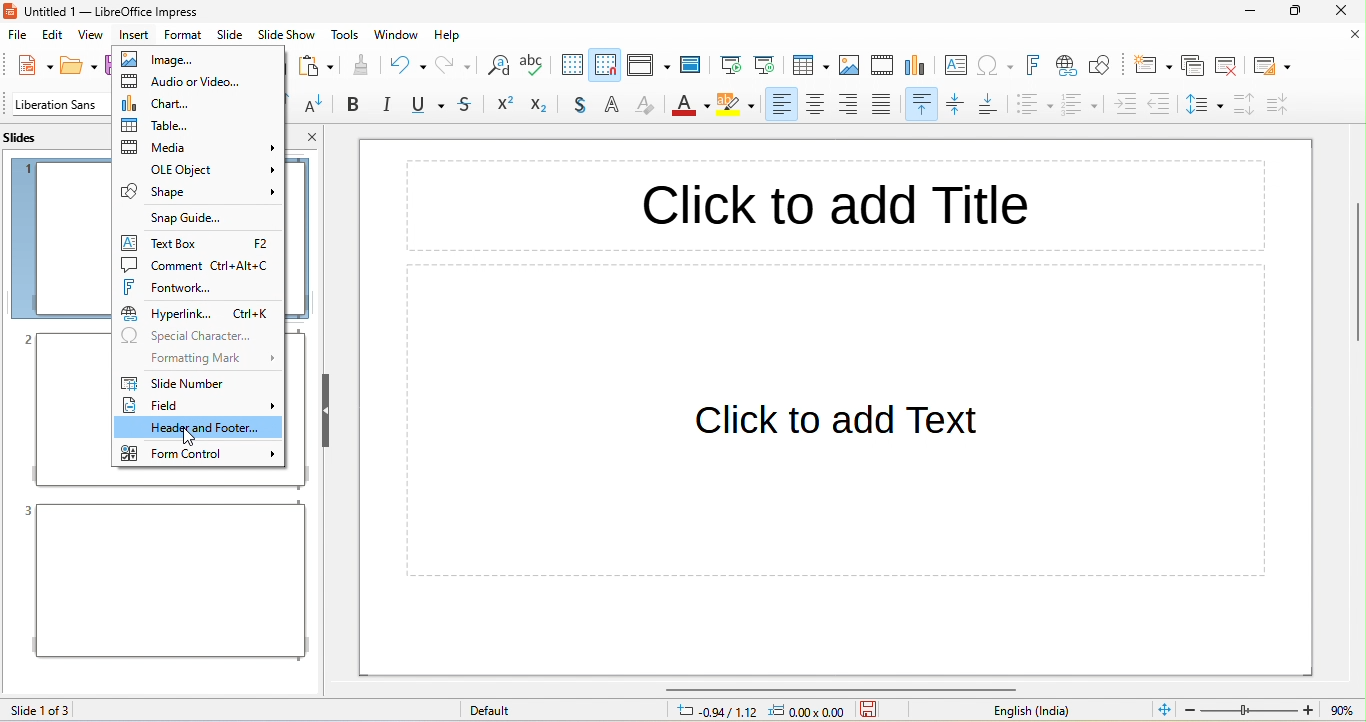 The height and width of the screenshot is (722, 1366). I want to click on clear direct formatting, so click(646, 107).